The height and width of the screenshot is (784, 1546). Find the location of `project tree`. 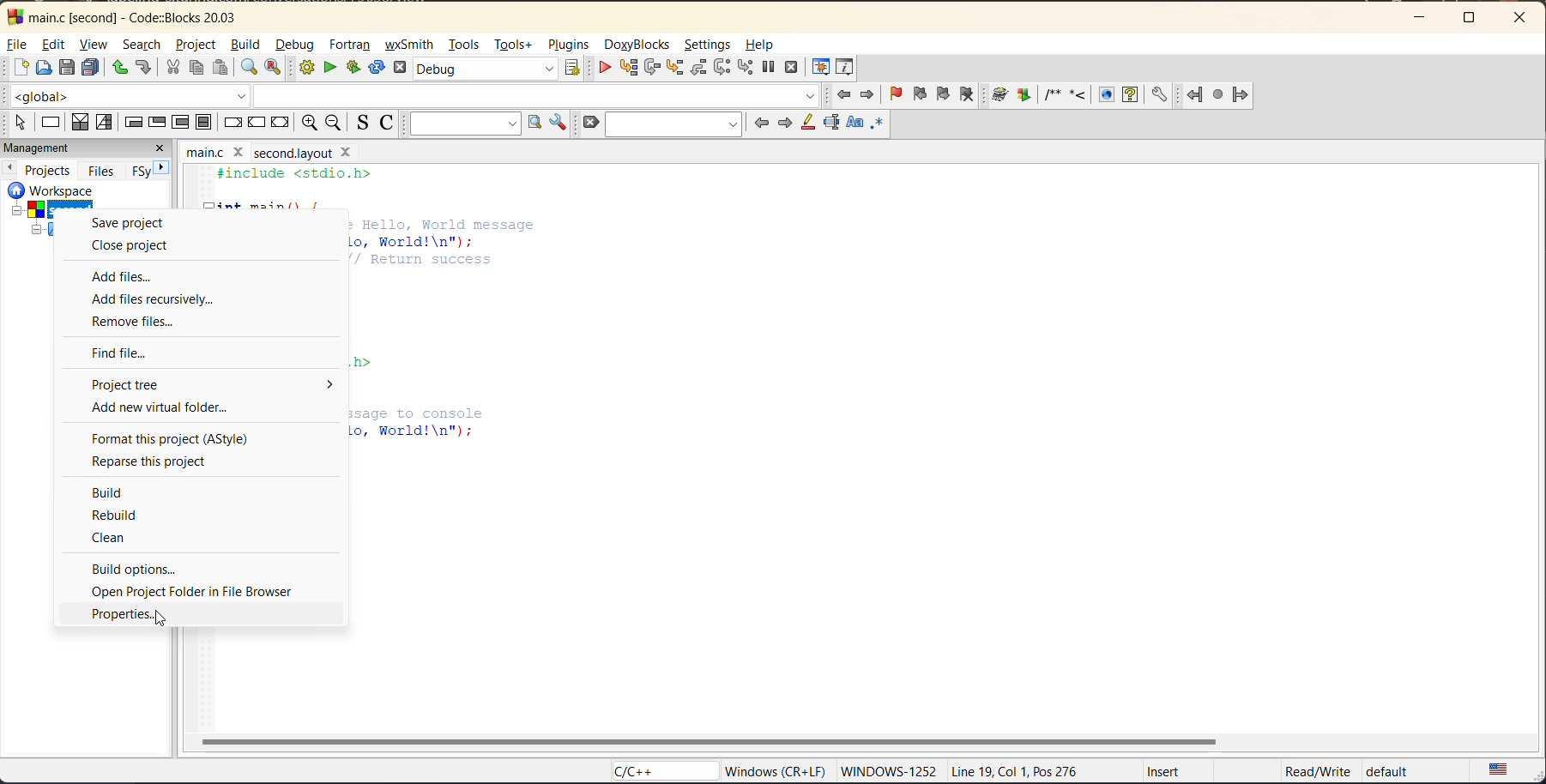

project tree is located at coordinates (157, 385).